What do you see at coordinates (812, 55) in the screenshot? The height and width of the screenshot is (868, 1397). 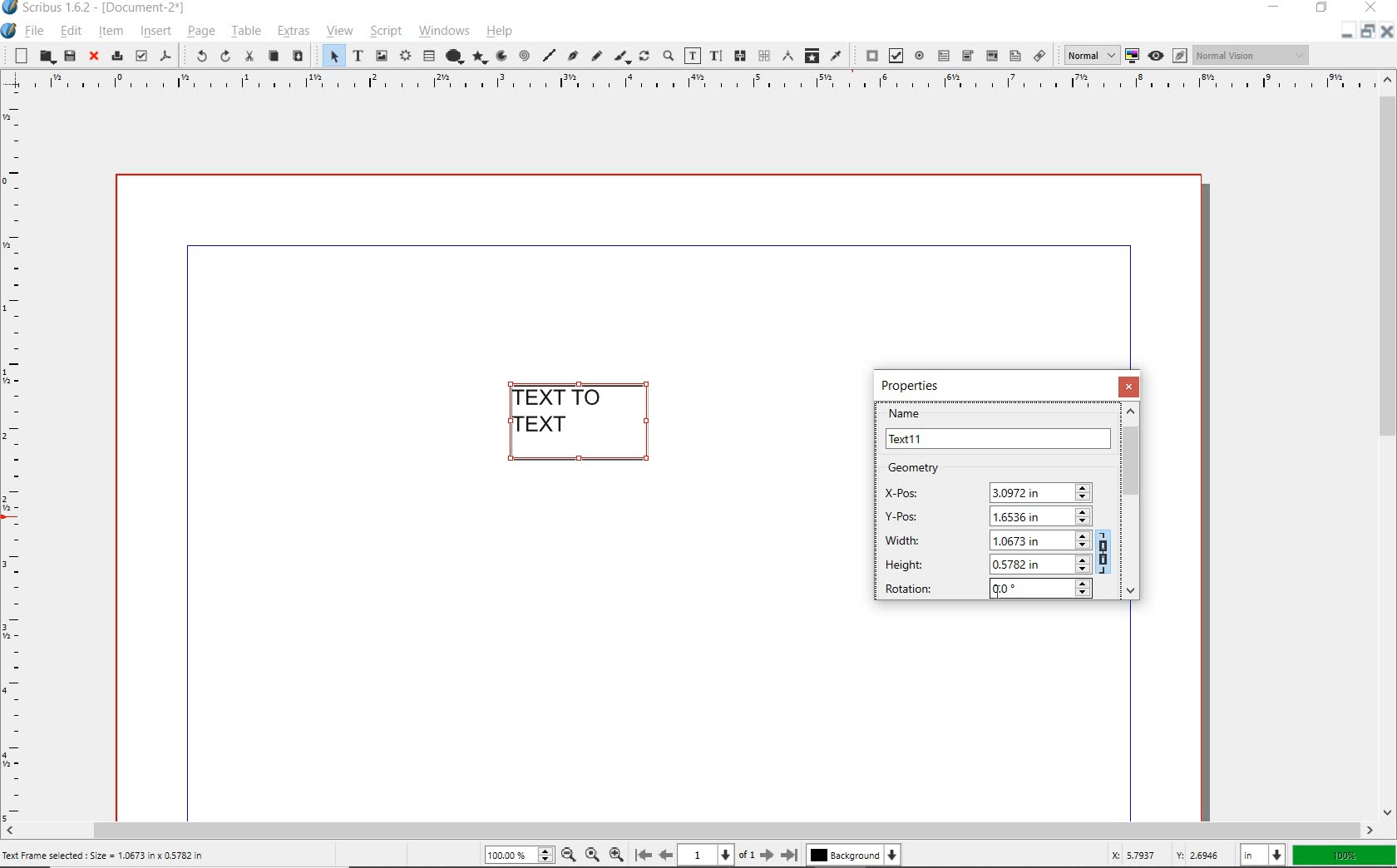 I see `copy item properties` at bounding box center [812, 55].